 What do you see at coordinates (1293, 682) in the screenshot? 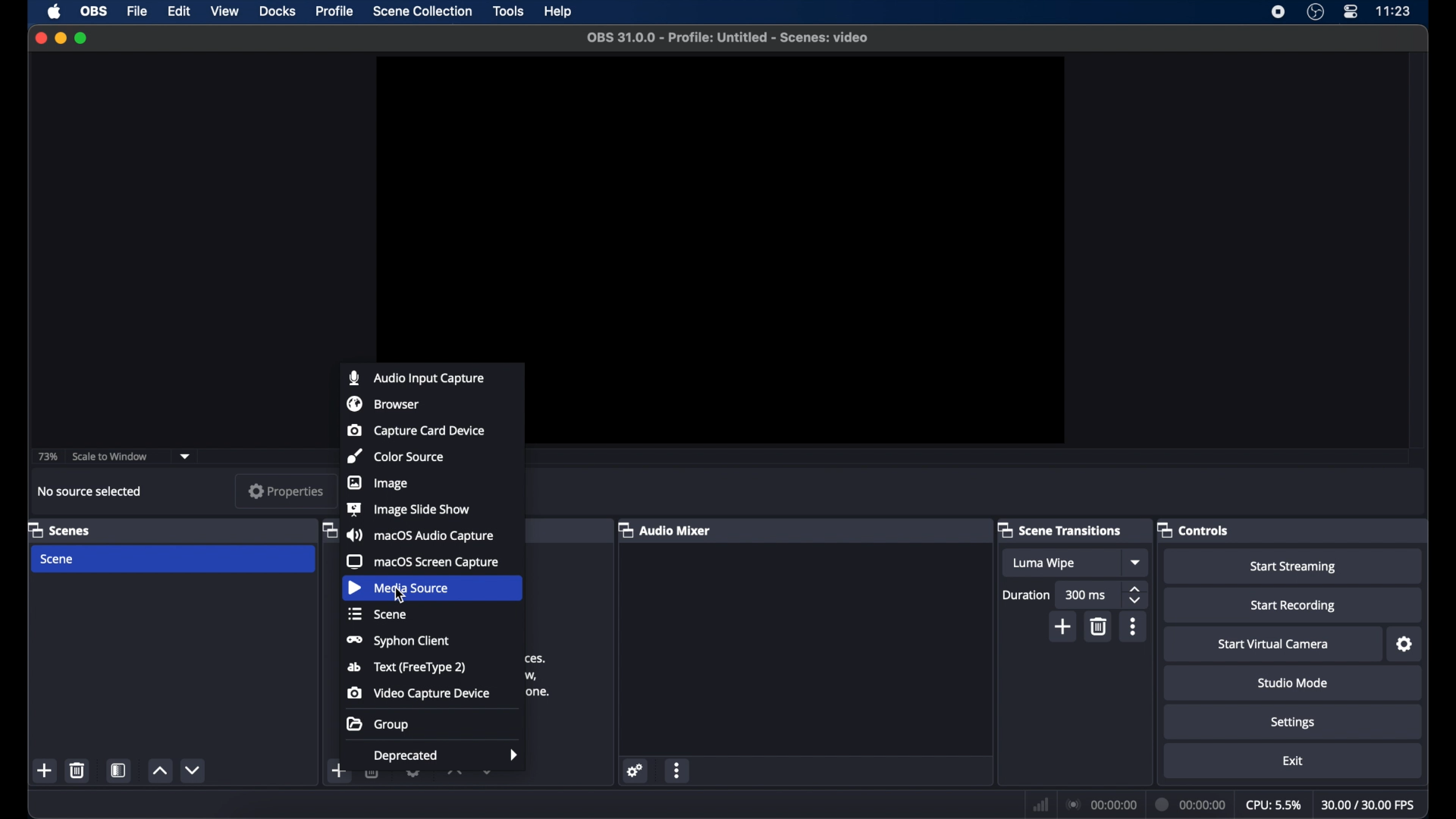
I see `studio  mode` at bounding box center [1293, 682].